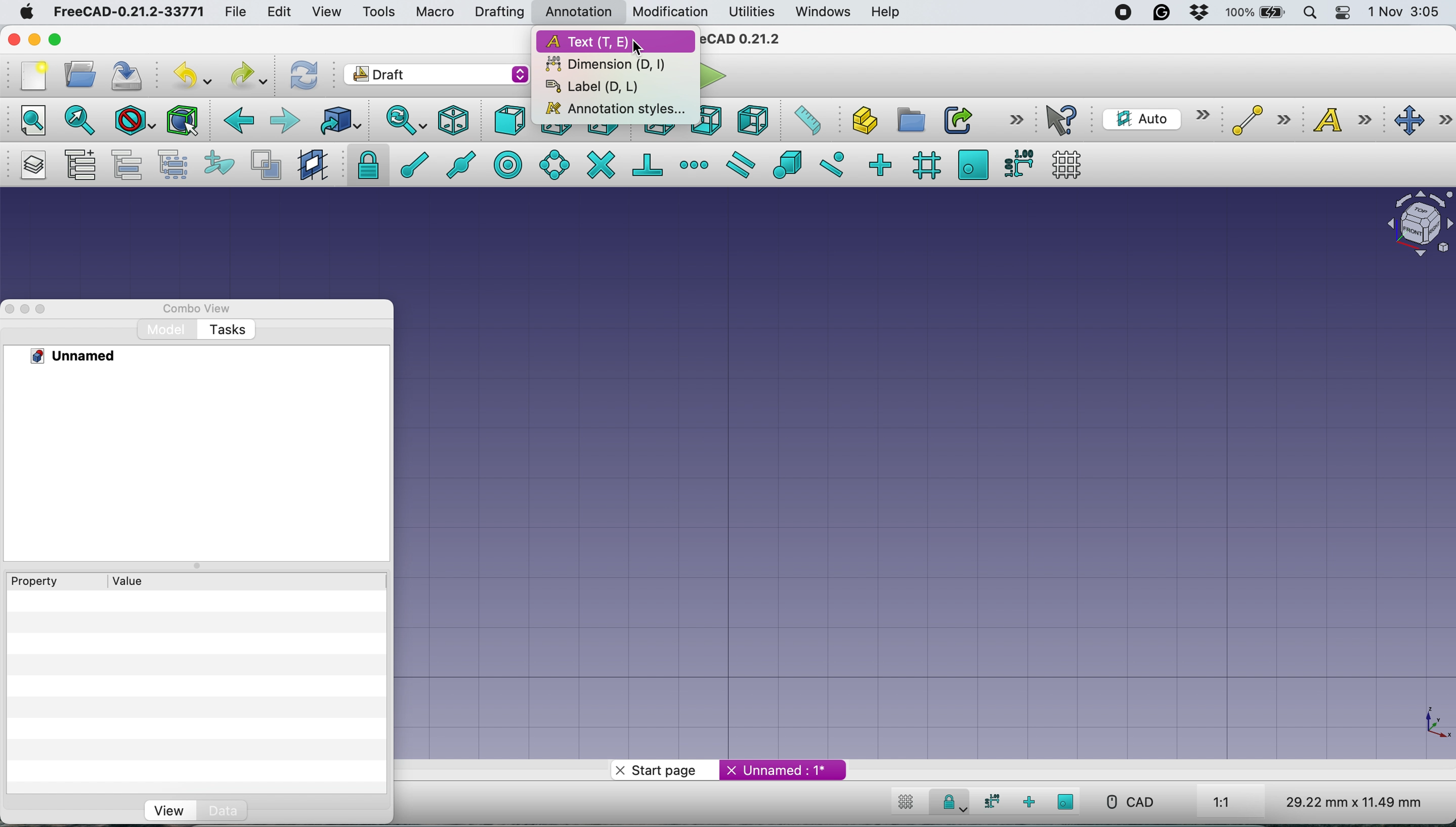  Describe the element at coordinates (32, 40) in the screenshot. I see `minimise` at that location.